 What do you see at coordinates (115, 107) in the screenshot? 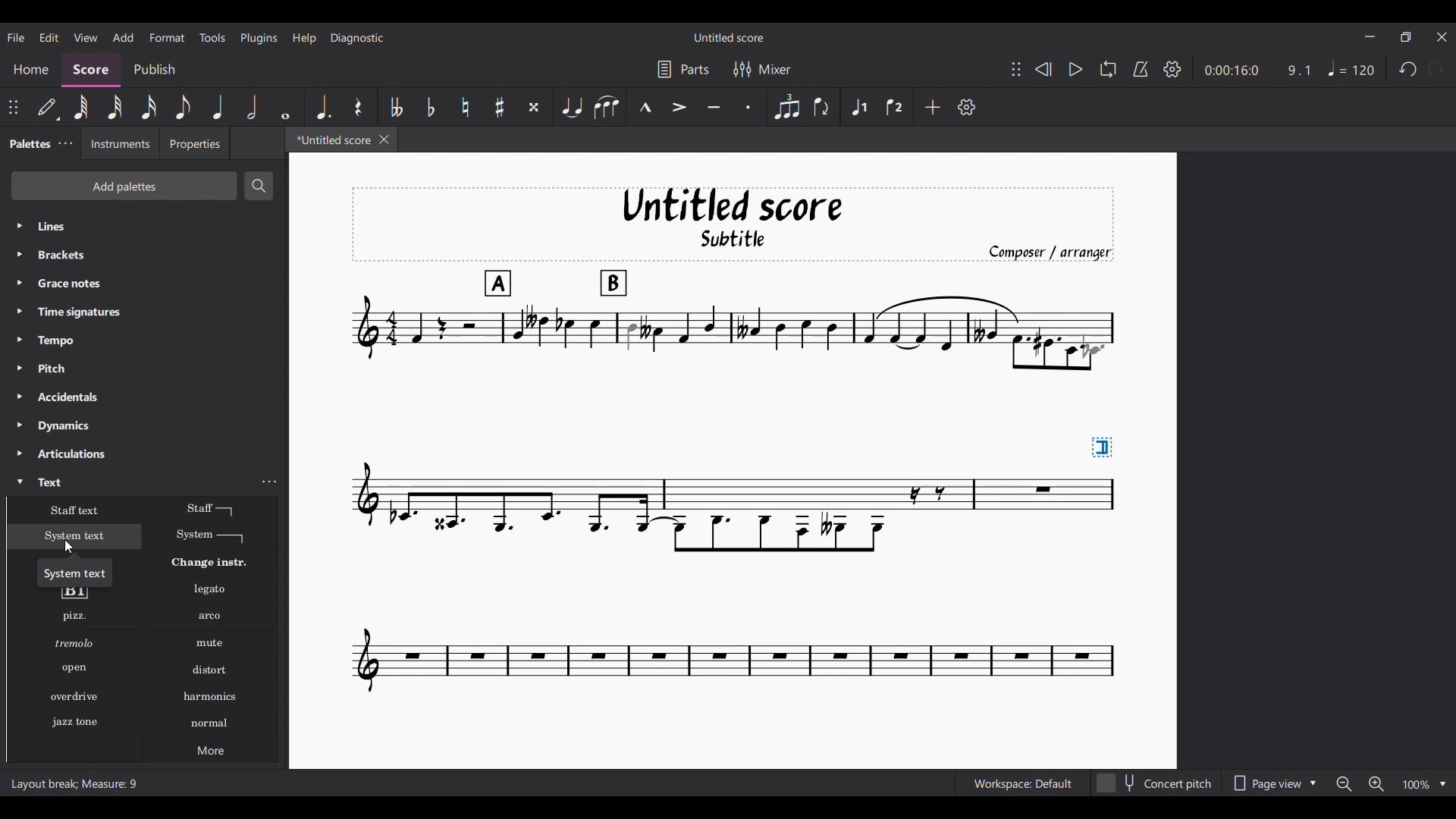
I see `32nd note` at bounding box center [115, 107].